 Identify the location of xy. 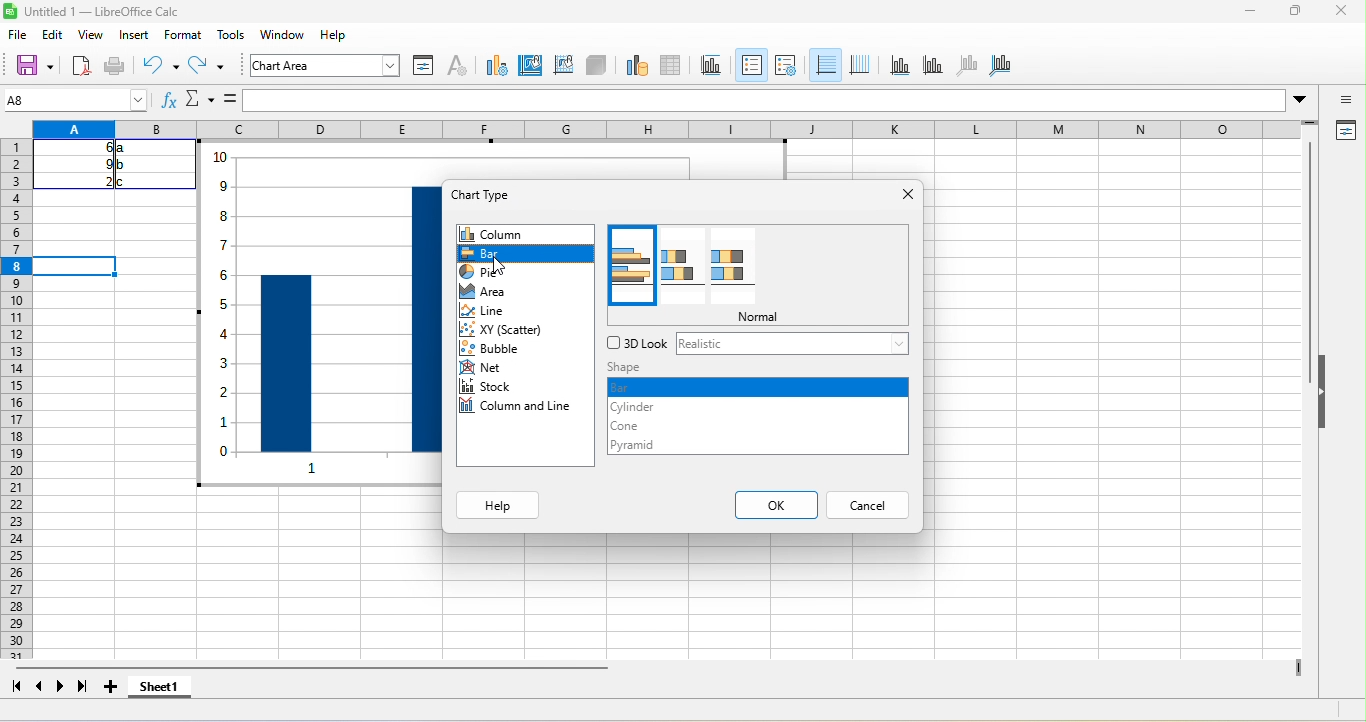
(508, 332).